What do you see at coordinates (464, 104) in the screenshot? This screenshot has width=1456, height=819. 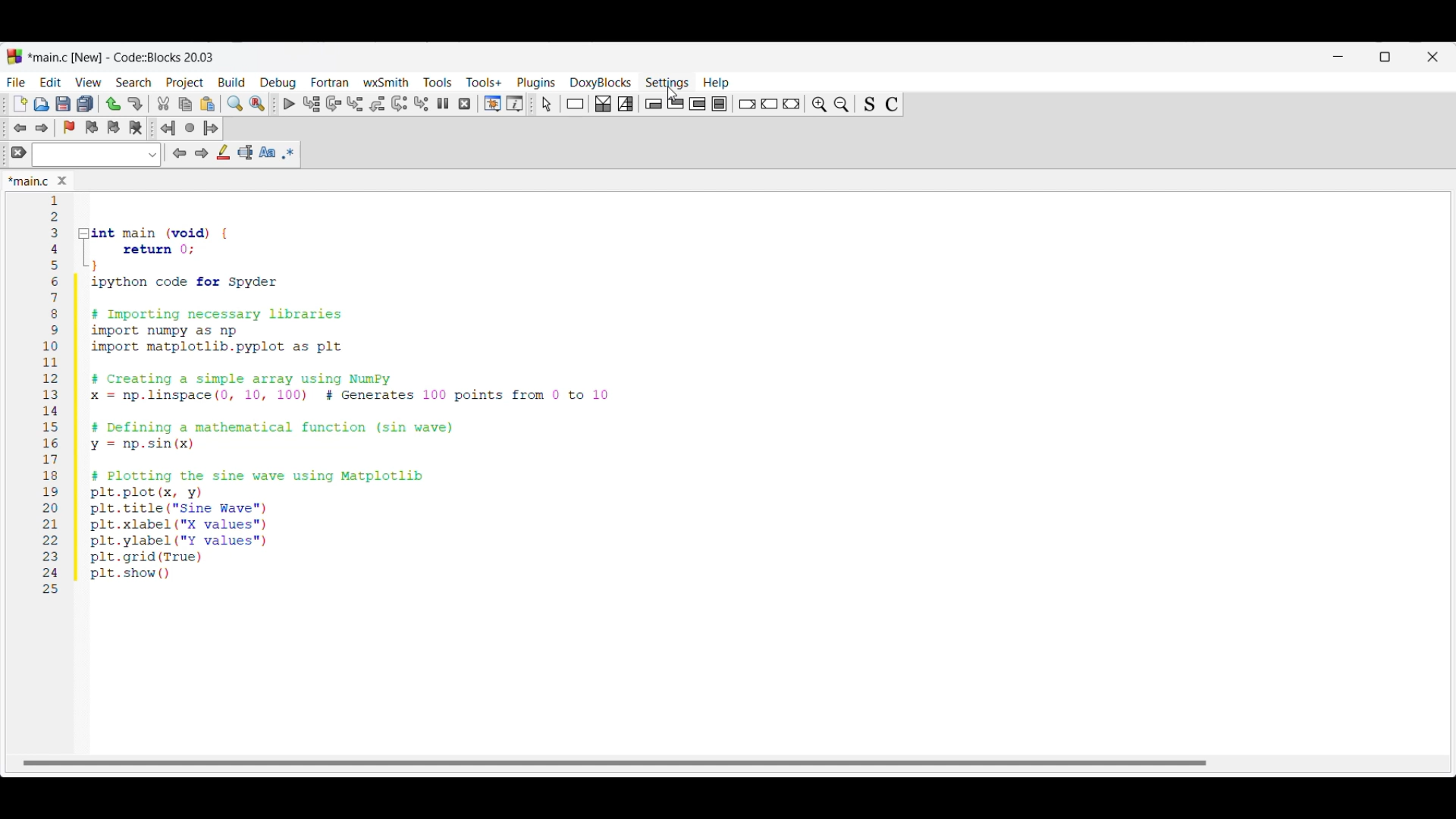 I see `Stop debugger` at bounding box center [464, 104].